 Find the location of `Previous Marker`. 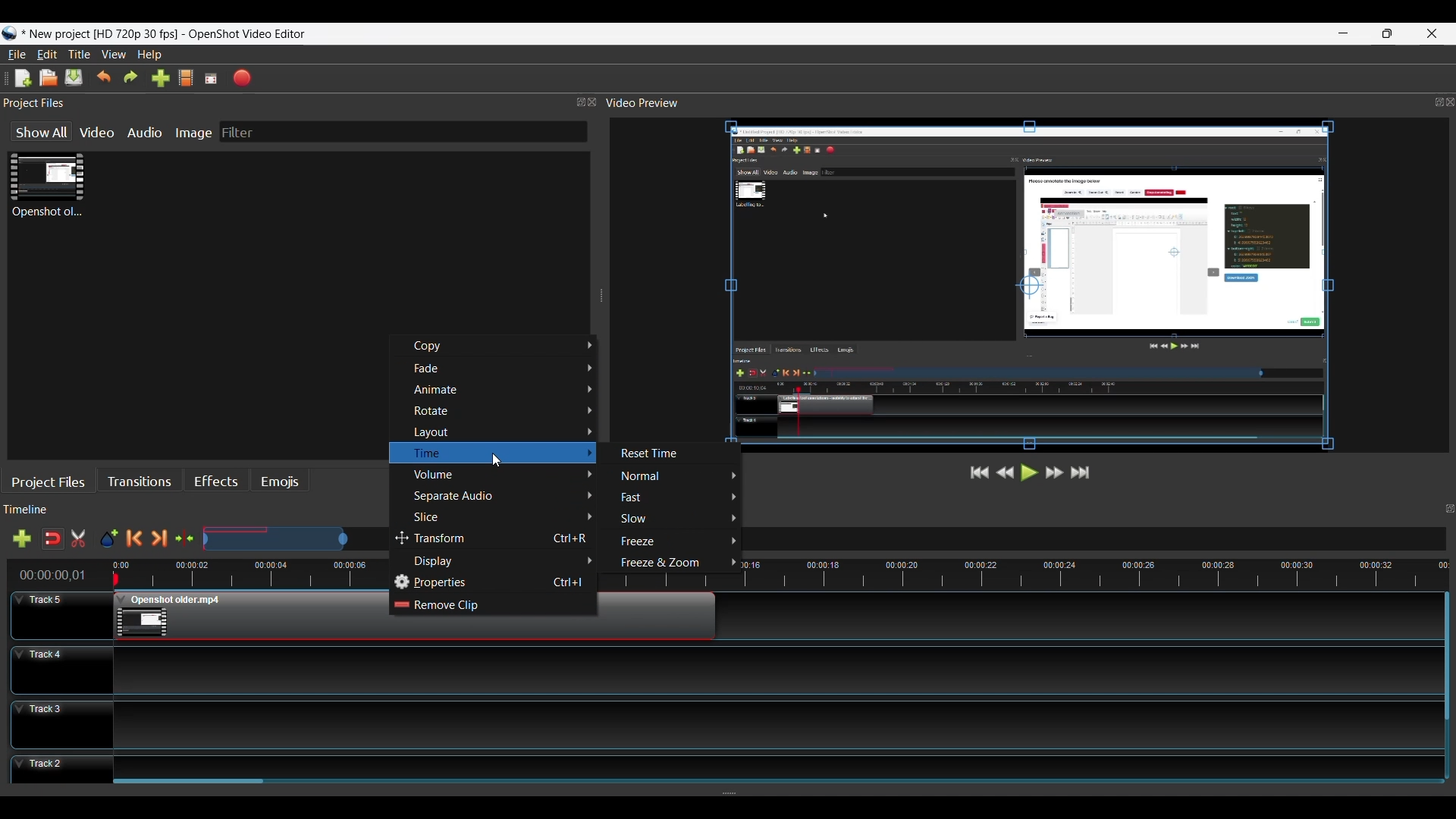

Previous Marker is located at coordinates (134, 539).